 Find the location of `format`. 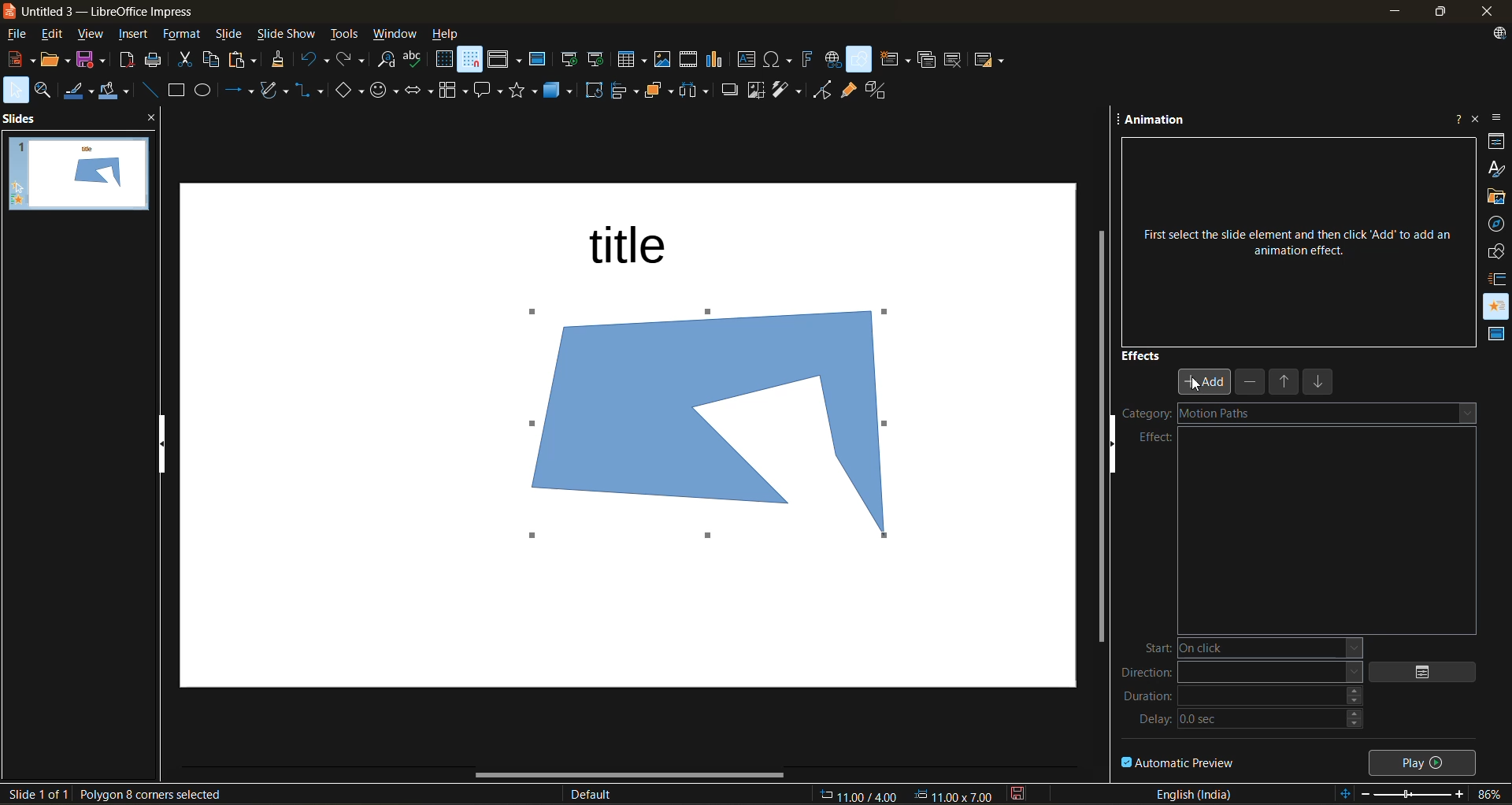

format is located at coordinates (180, 35).